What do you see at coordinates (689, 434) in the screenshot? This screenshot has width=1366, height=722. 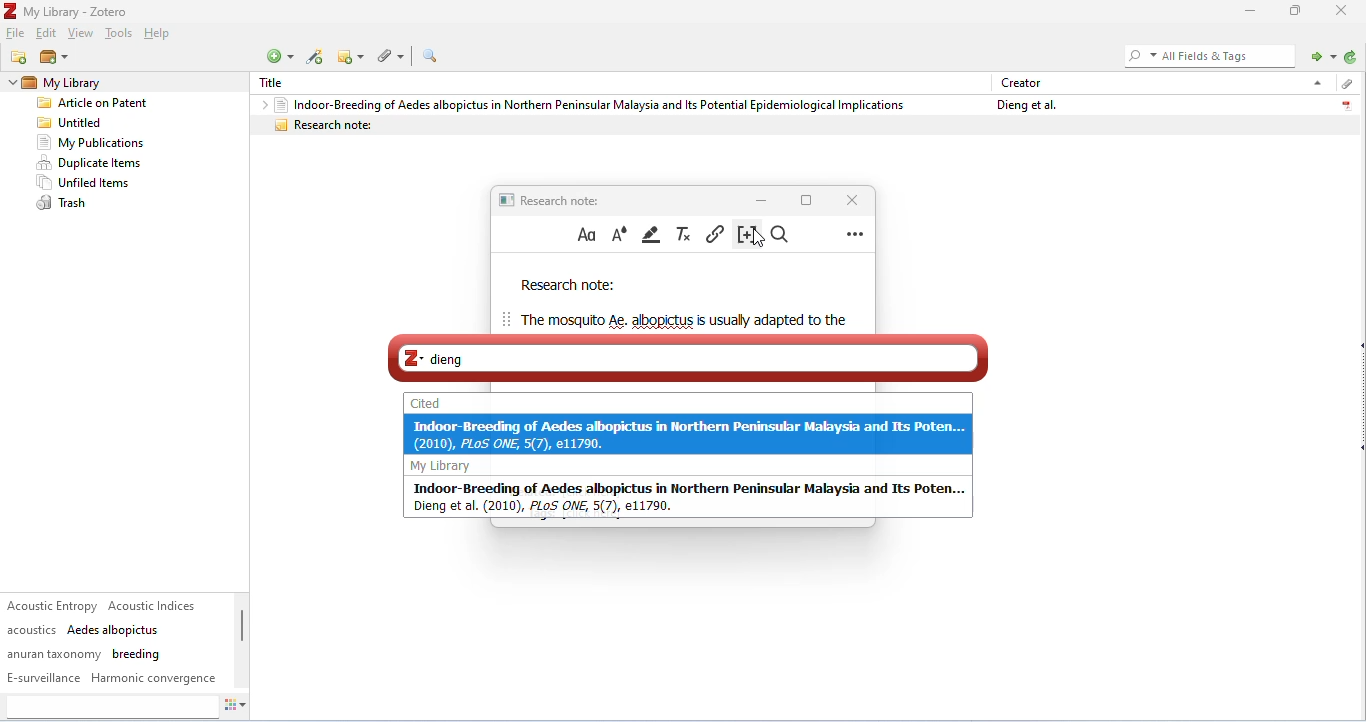 I see `Indoor-Breeding of Aedes albopictus in Northern Peninsular Malaysia and Its Potential Epidemiological Implications(2010)PLoS ONE, 5(7), e11790` at bounding box center [689, 434].